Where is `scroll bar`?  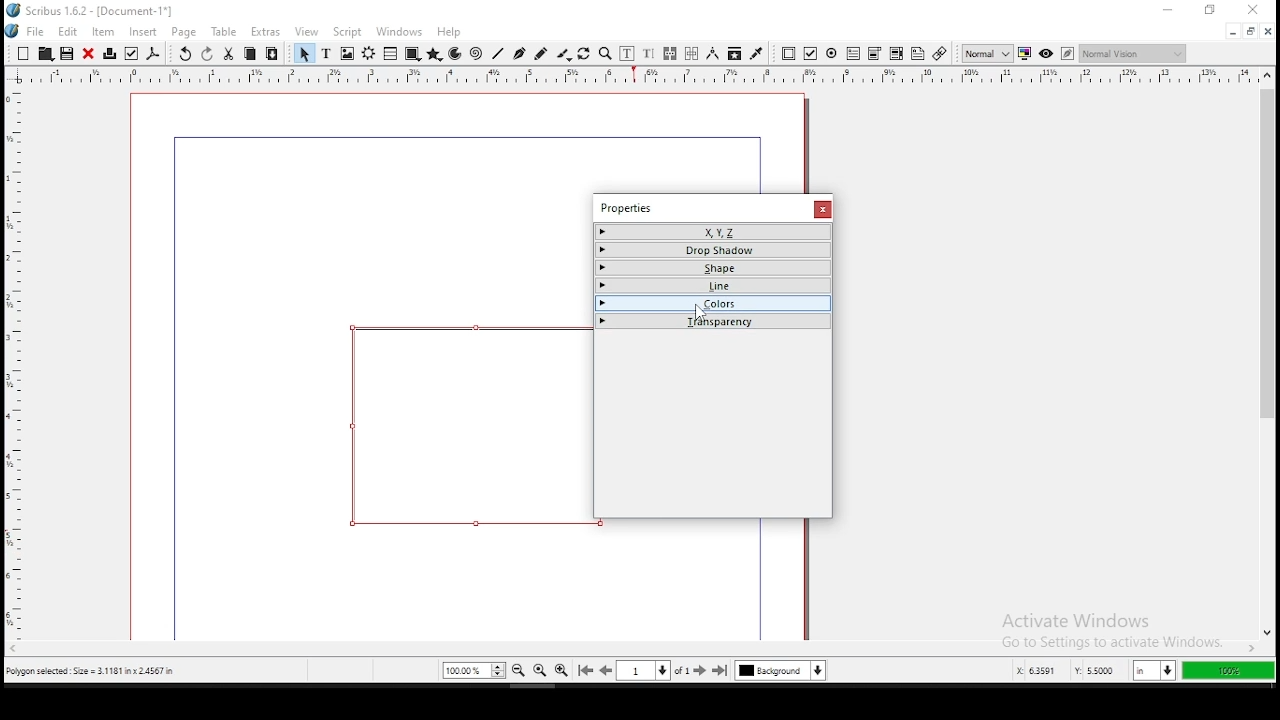
scroll bar is located at coordinates (632, 650).